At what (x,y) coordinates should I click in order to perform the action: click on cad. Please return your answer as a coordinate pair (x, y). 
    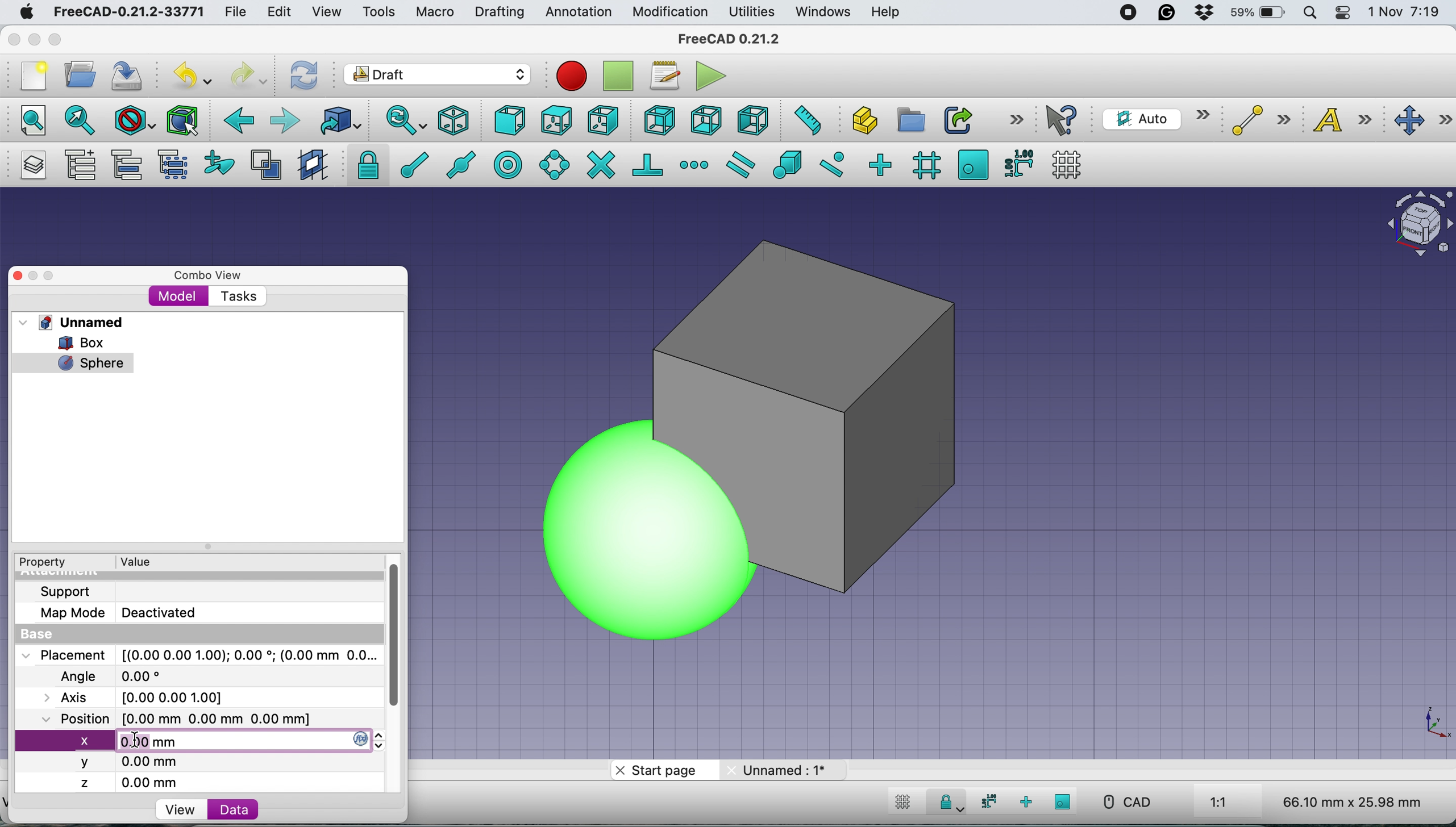
    Looking at the image, I should click on (1126, 802).